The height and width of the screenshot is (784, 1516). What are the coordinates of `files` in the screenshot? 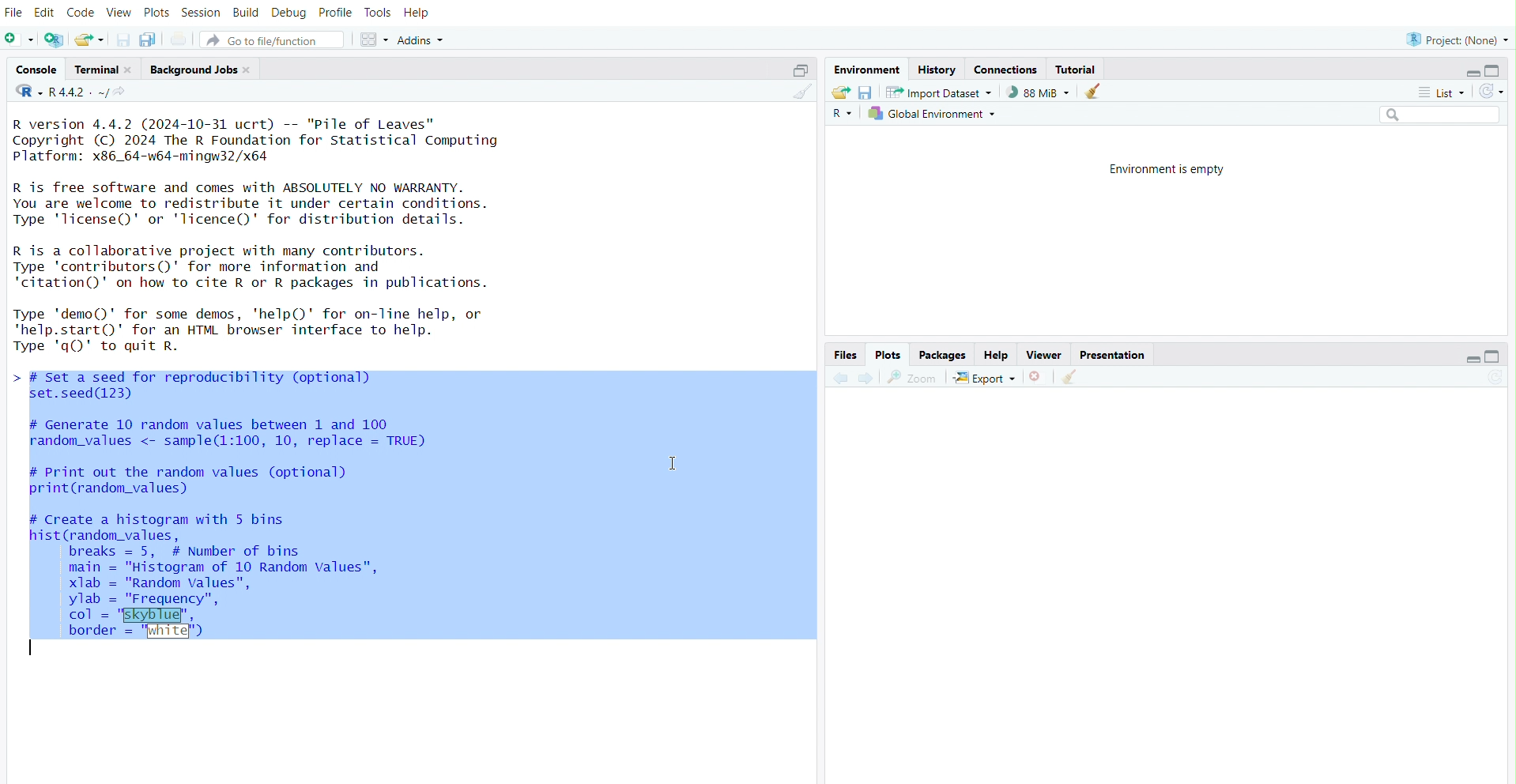 It's located at (846, 356).